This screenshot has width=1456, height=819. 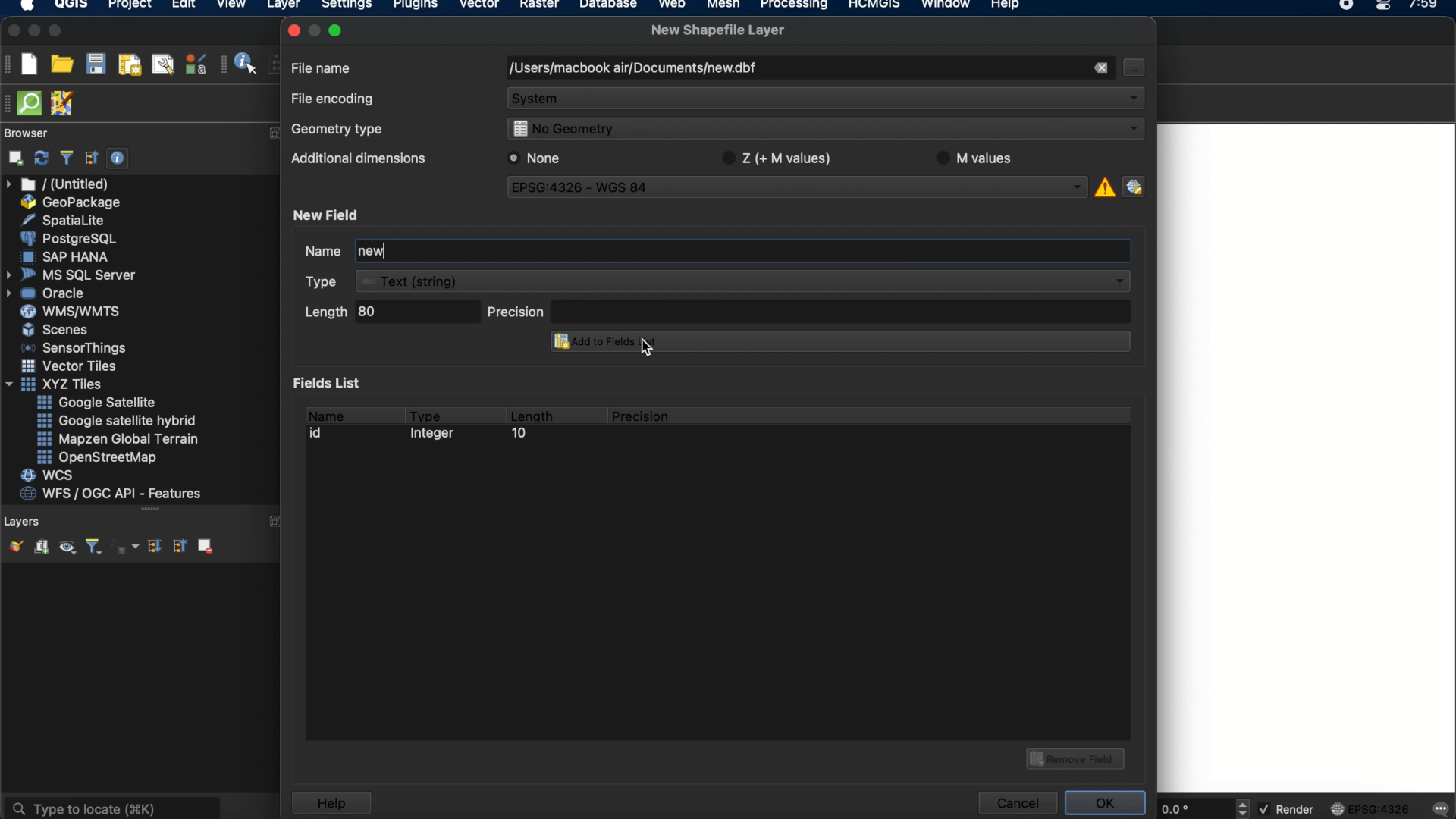 What do you see at coordinates (416, 7) in the screenshot?
I see `plugins` at bounding box center [416, 7].